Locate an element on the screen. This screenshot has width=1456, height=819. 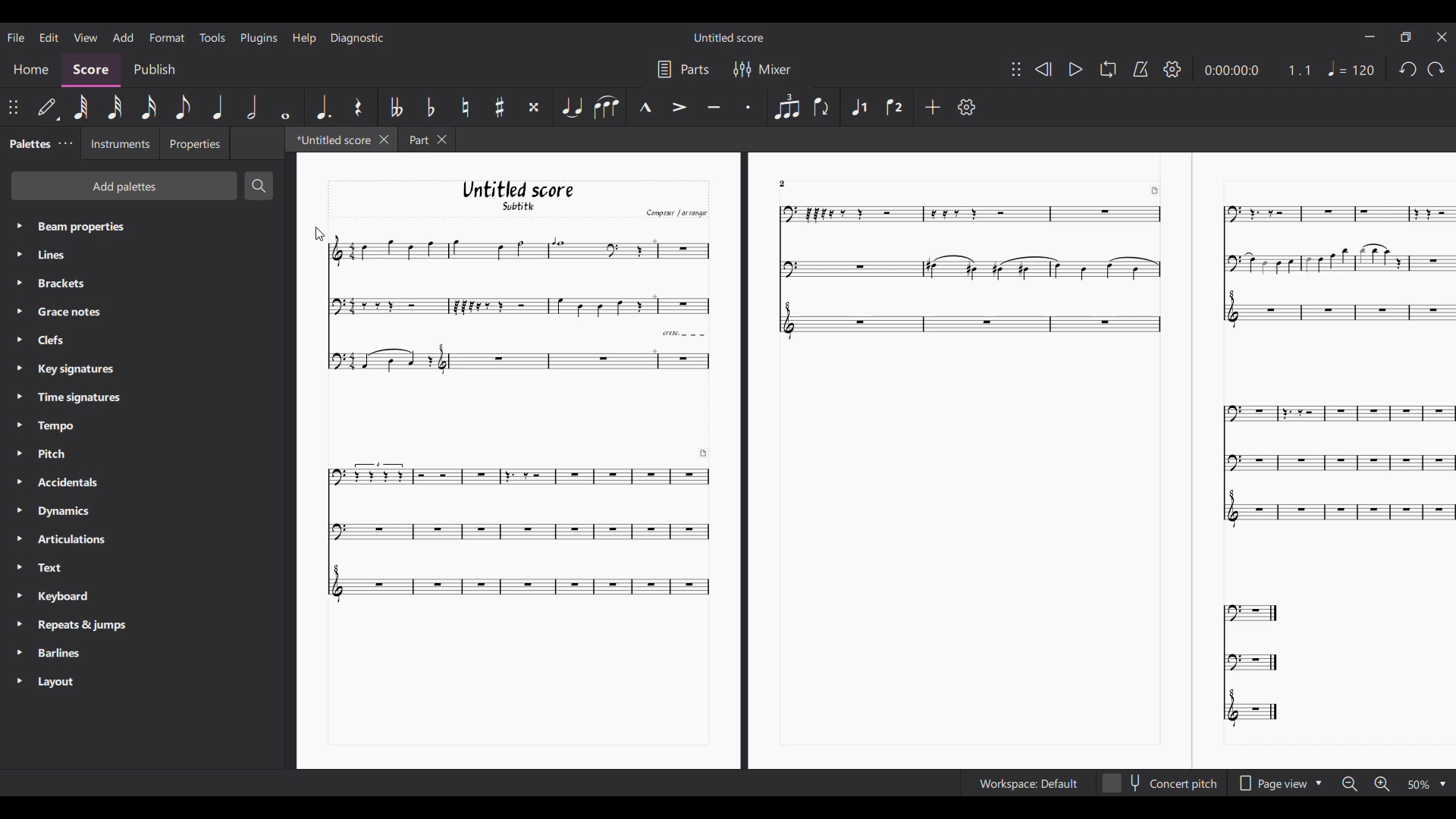
 is located at coordinates (16, 598).